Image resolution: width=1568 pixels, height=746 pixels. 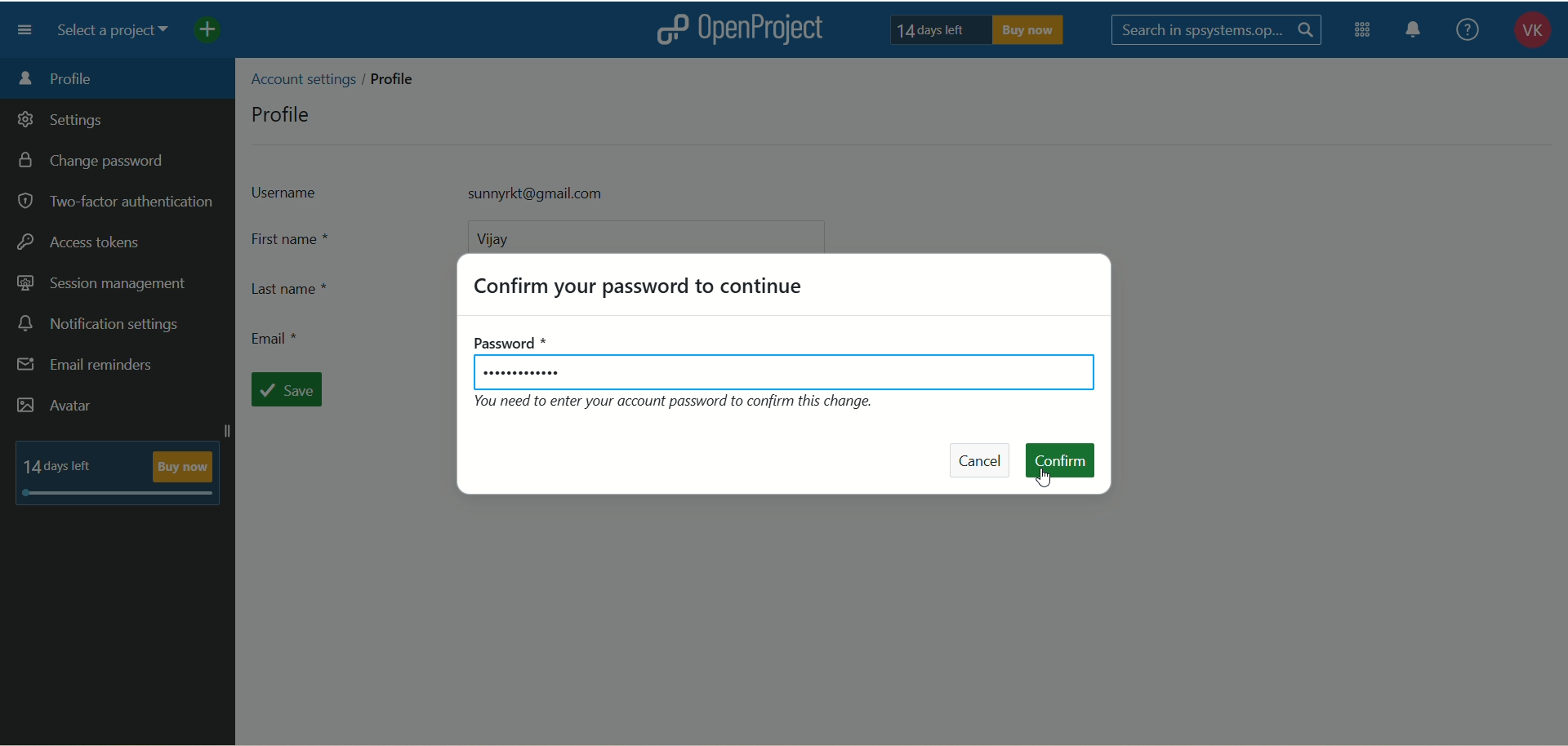 I want to click on menu, so click(x=29, y=30).